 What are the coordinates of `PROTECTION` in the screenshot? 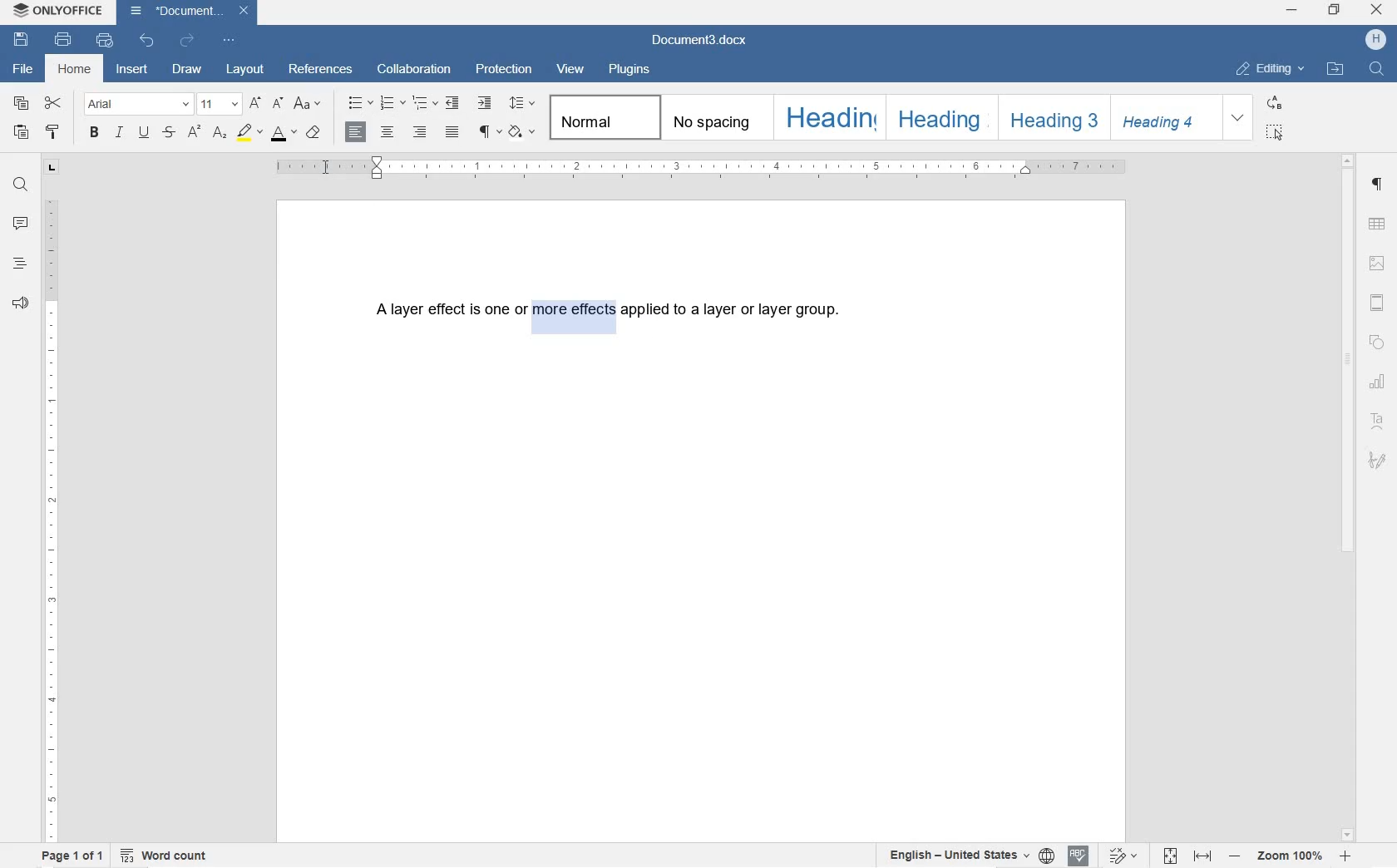 It's located at (504, 70).